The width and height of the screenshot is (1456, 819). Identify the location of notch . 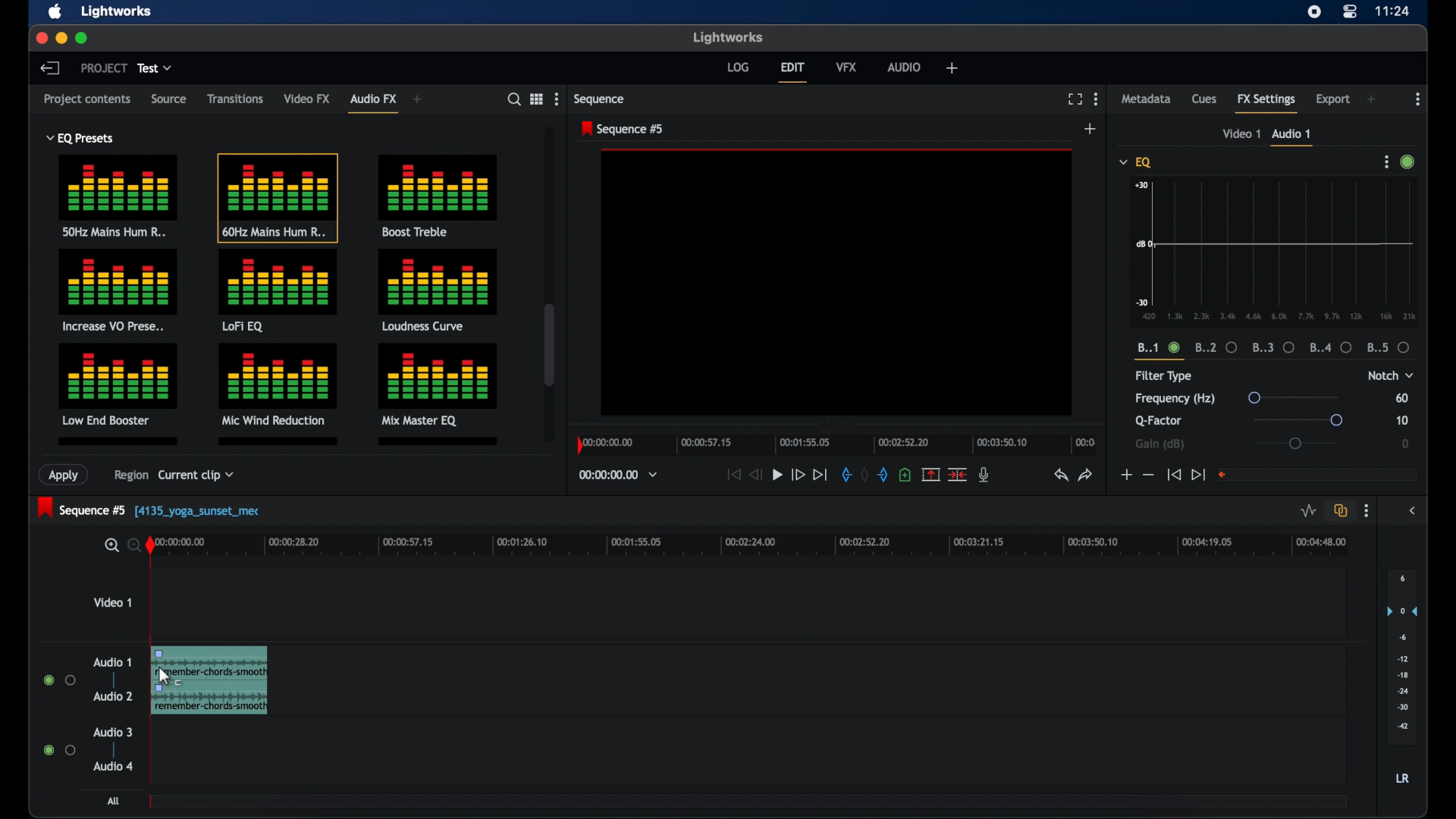
(1389, 375).